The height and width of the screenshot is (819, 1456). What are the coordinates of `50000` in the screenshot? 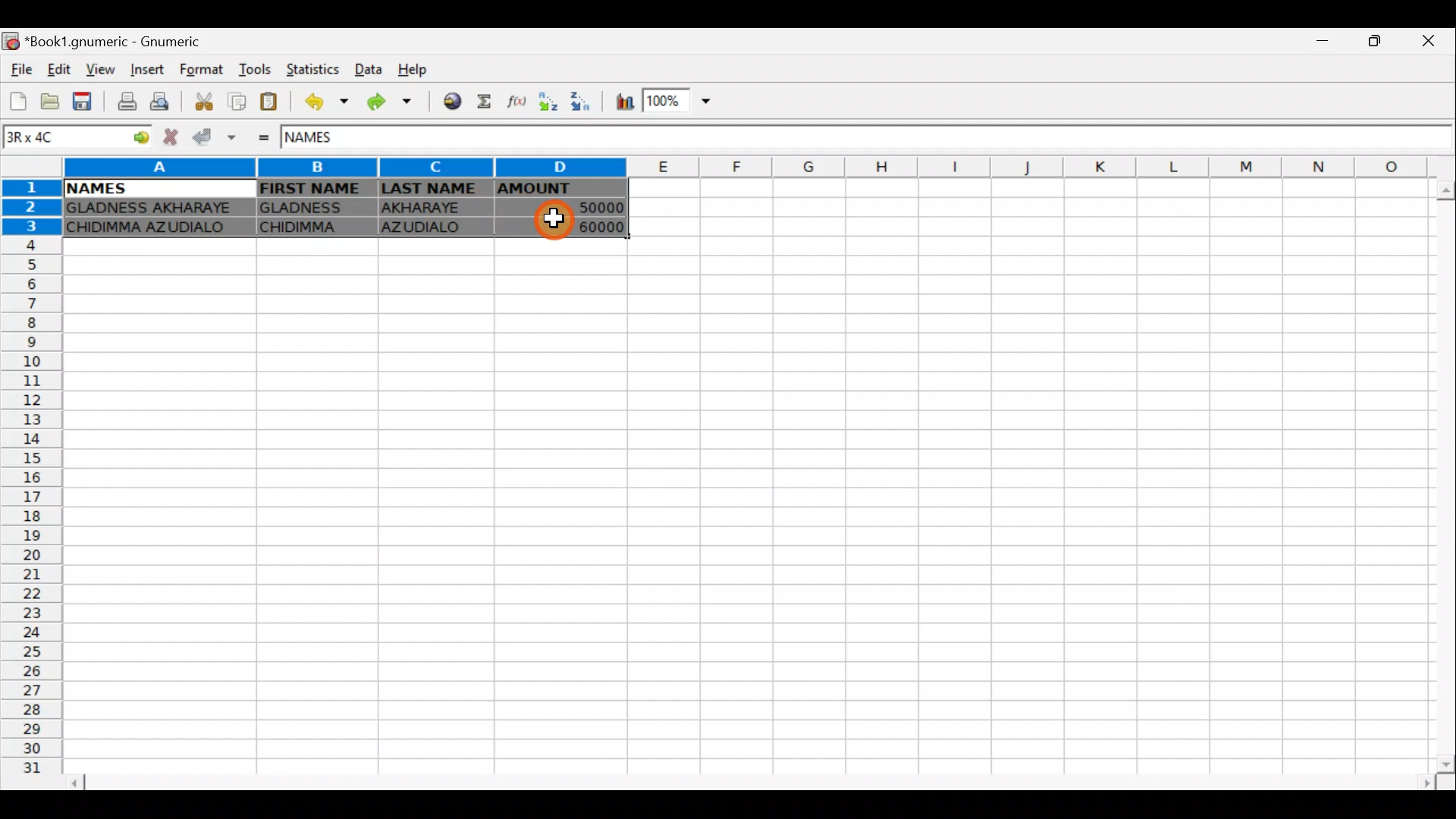 It's located at (578, 209).